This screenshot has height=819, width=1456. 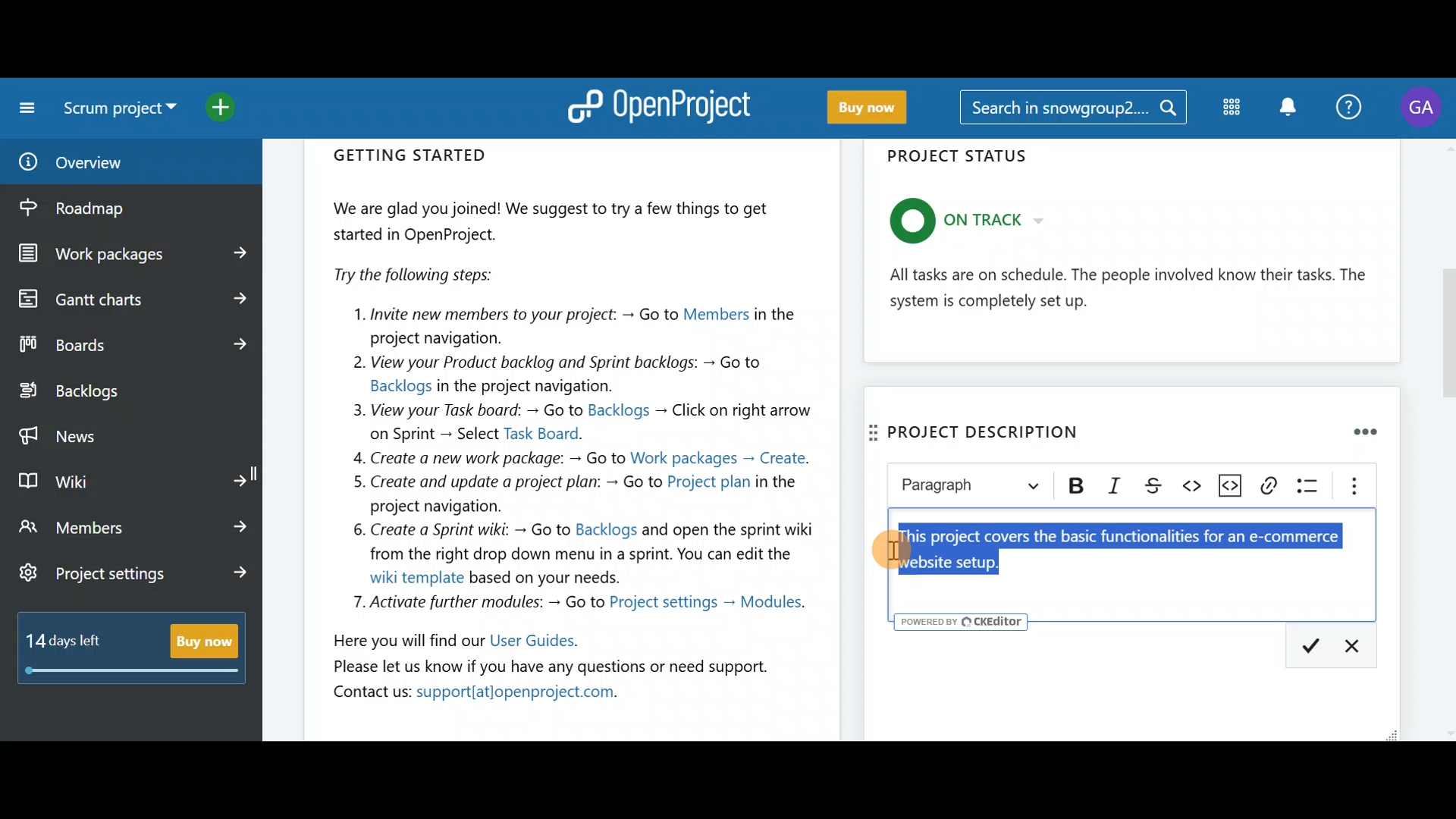 I want to click on Modules, so click(x=1228, y=111).